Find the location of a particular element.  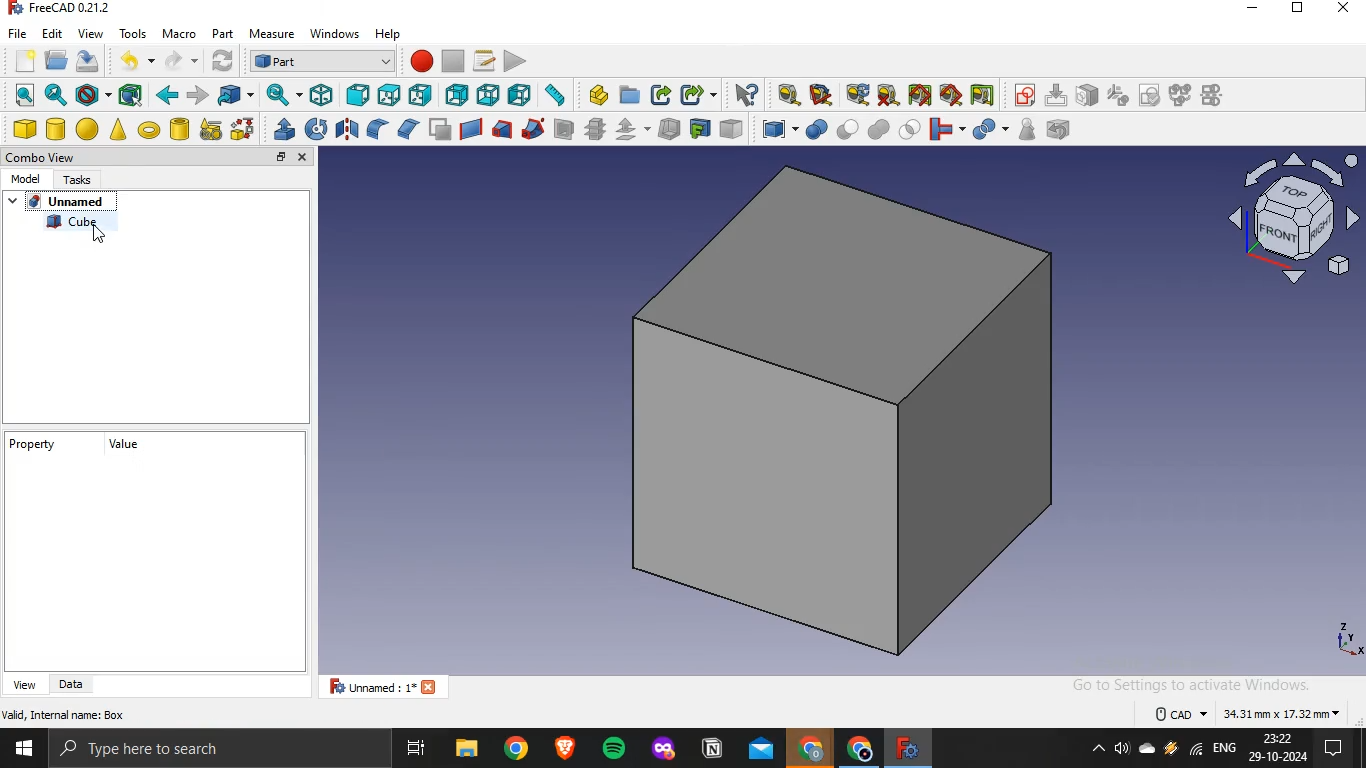

mirroring is located at coordinates (348, 128).